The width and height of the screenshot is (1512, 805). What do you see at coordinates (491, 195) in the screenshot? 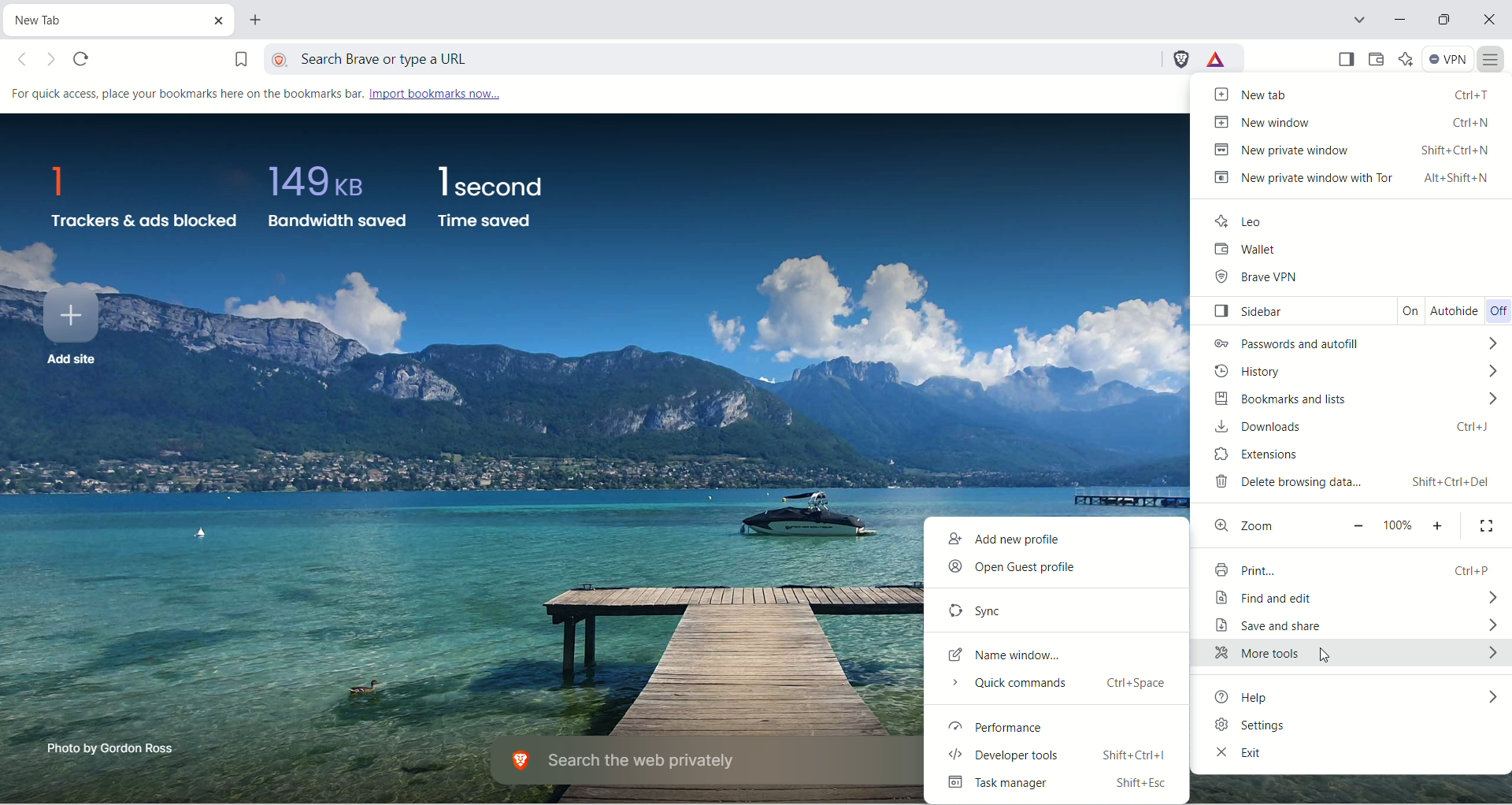
I see `time saved` at bounding box center [491, 195].